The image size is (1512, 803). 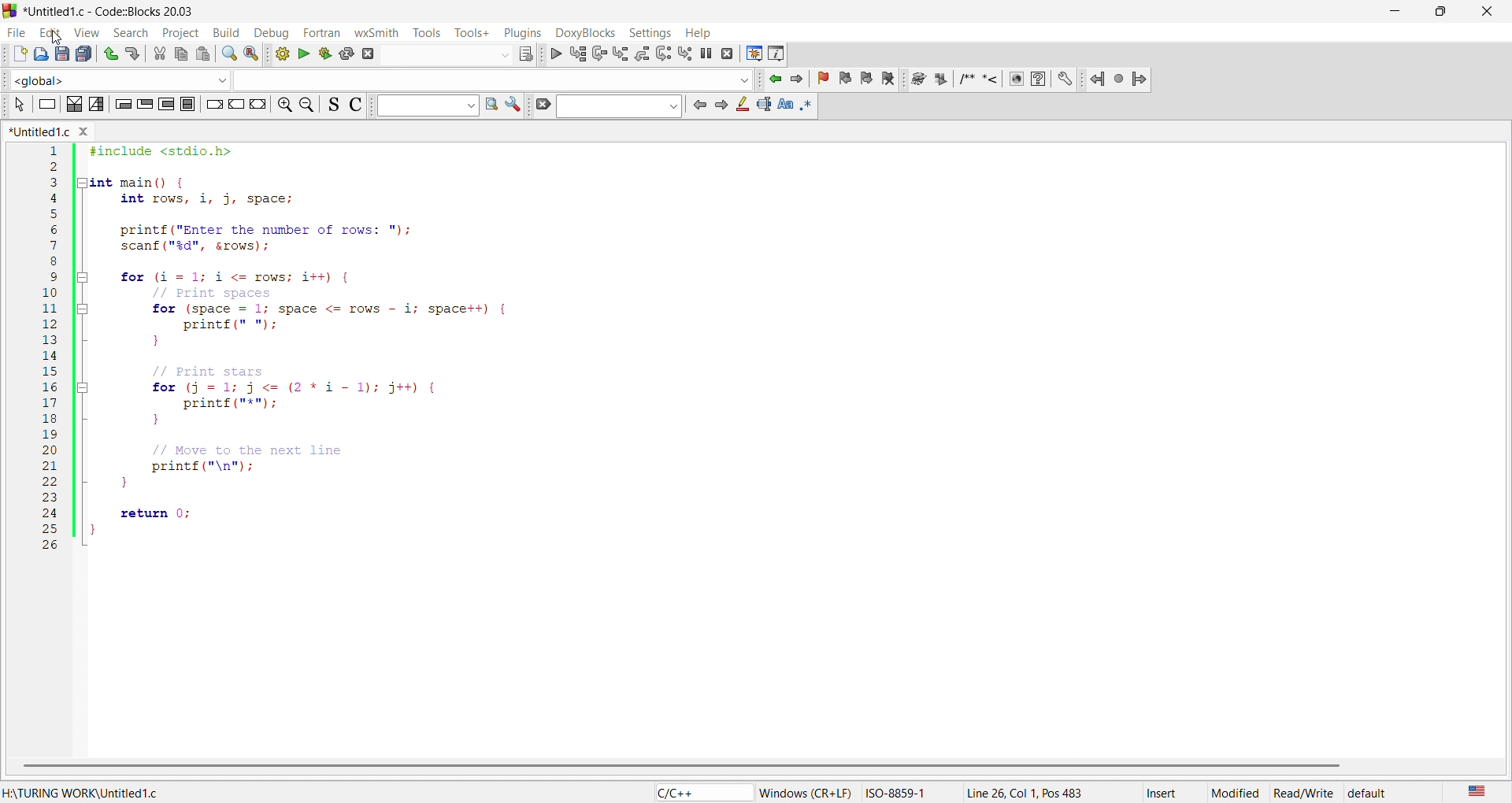 What do you see at coordinates (56, 352) in the screenshot?
I see `line number` at bounding box center [56, 352].